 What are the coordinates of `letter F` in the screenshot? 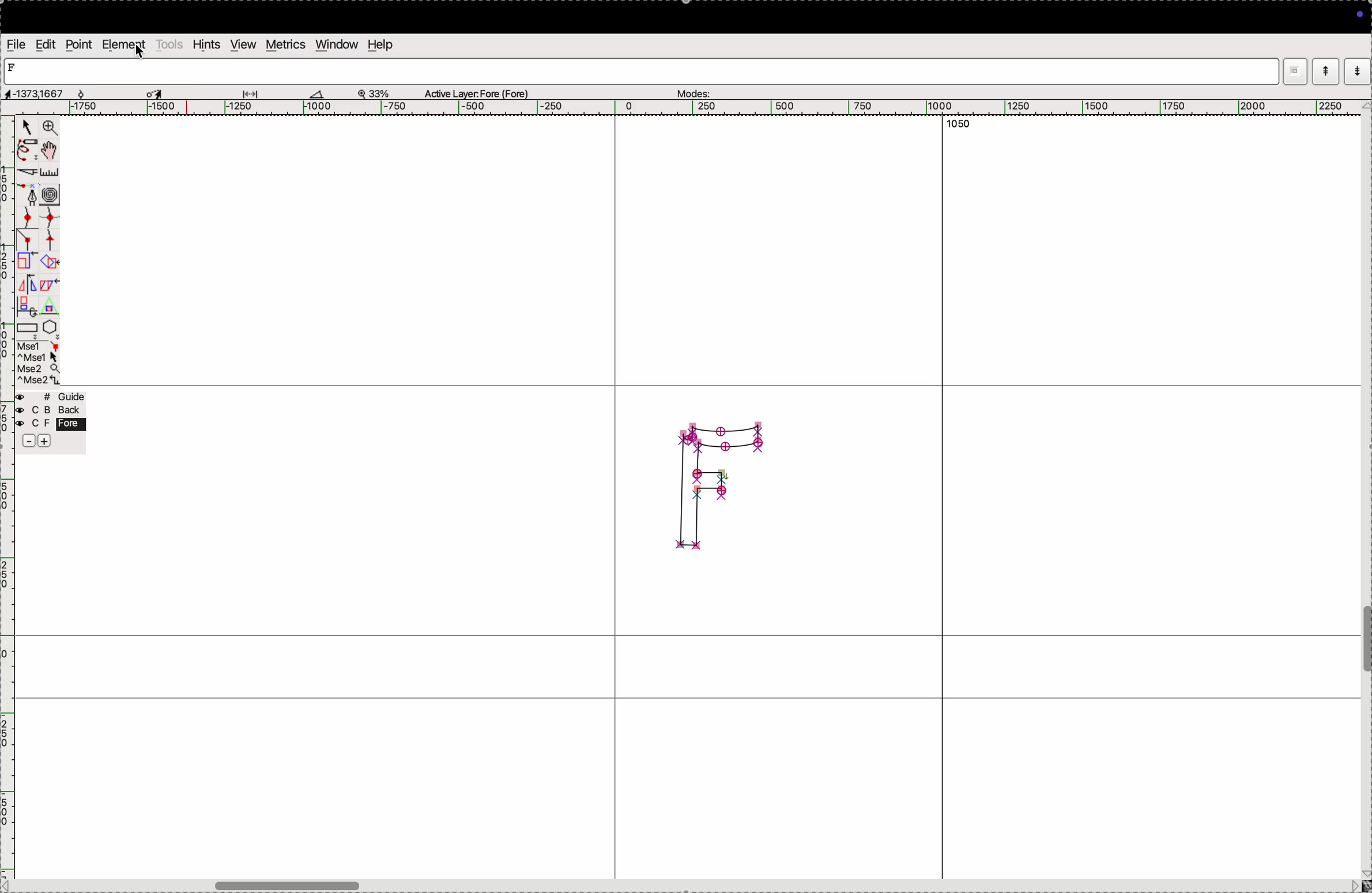 It's located at (12, 67).